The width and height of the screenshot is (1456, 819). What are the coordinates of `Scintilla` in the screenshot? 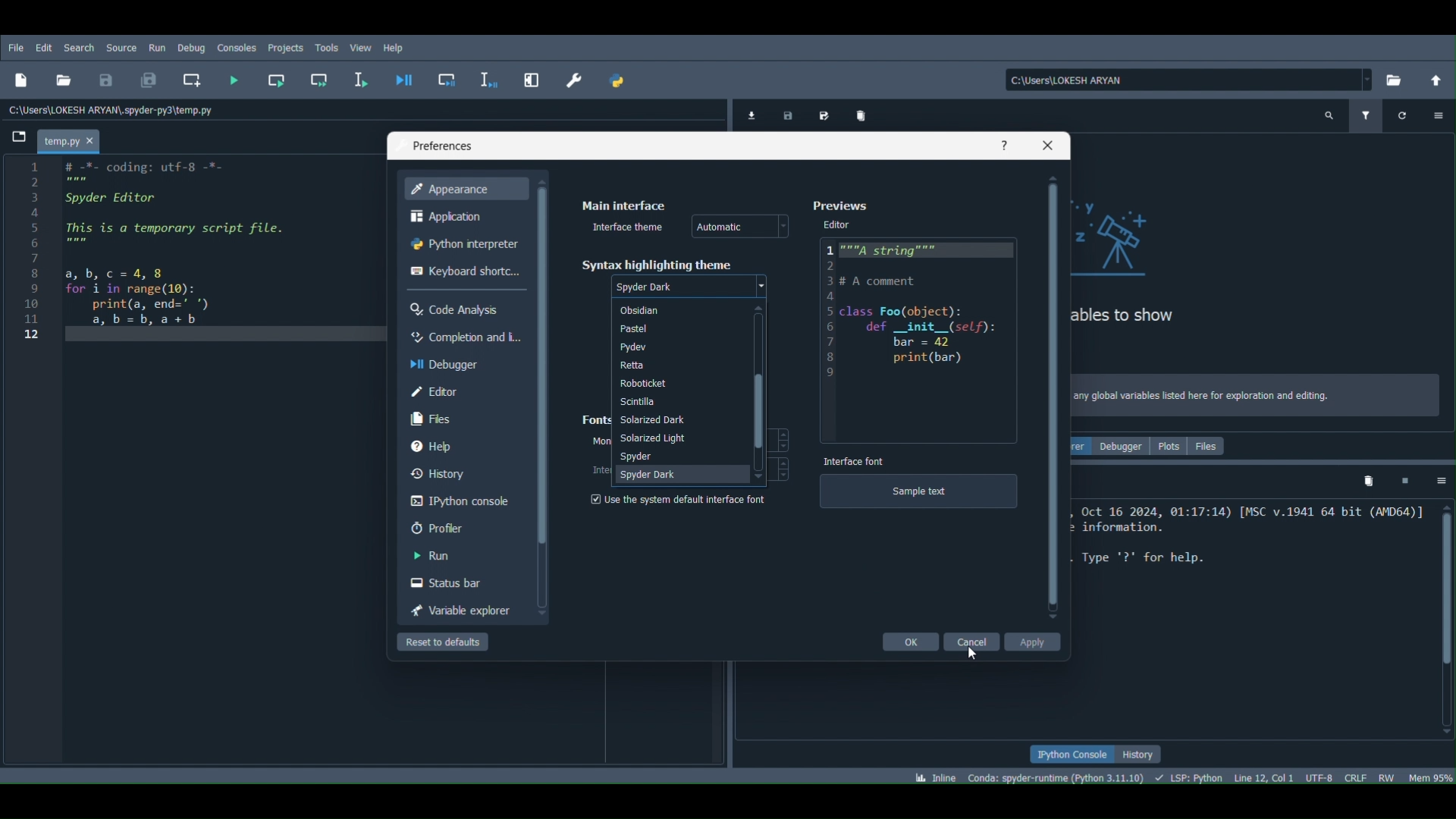 It's located at (679, 401).